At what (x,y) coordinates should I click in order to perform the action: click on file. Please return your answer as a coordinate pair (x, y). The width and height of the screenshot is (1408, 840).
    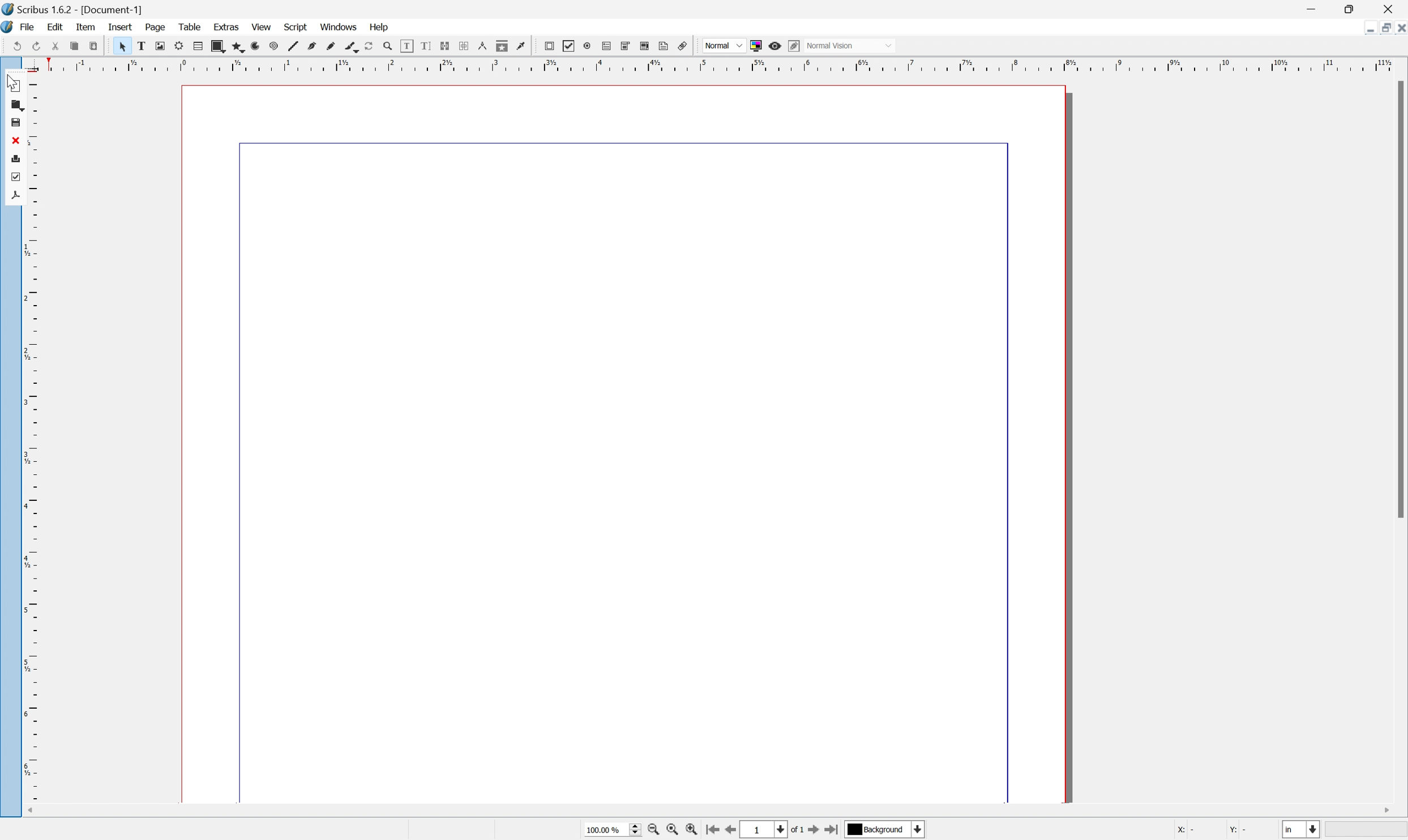
    Looking at the image, I should click on (29, 27).